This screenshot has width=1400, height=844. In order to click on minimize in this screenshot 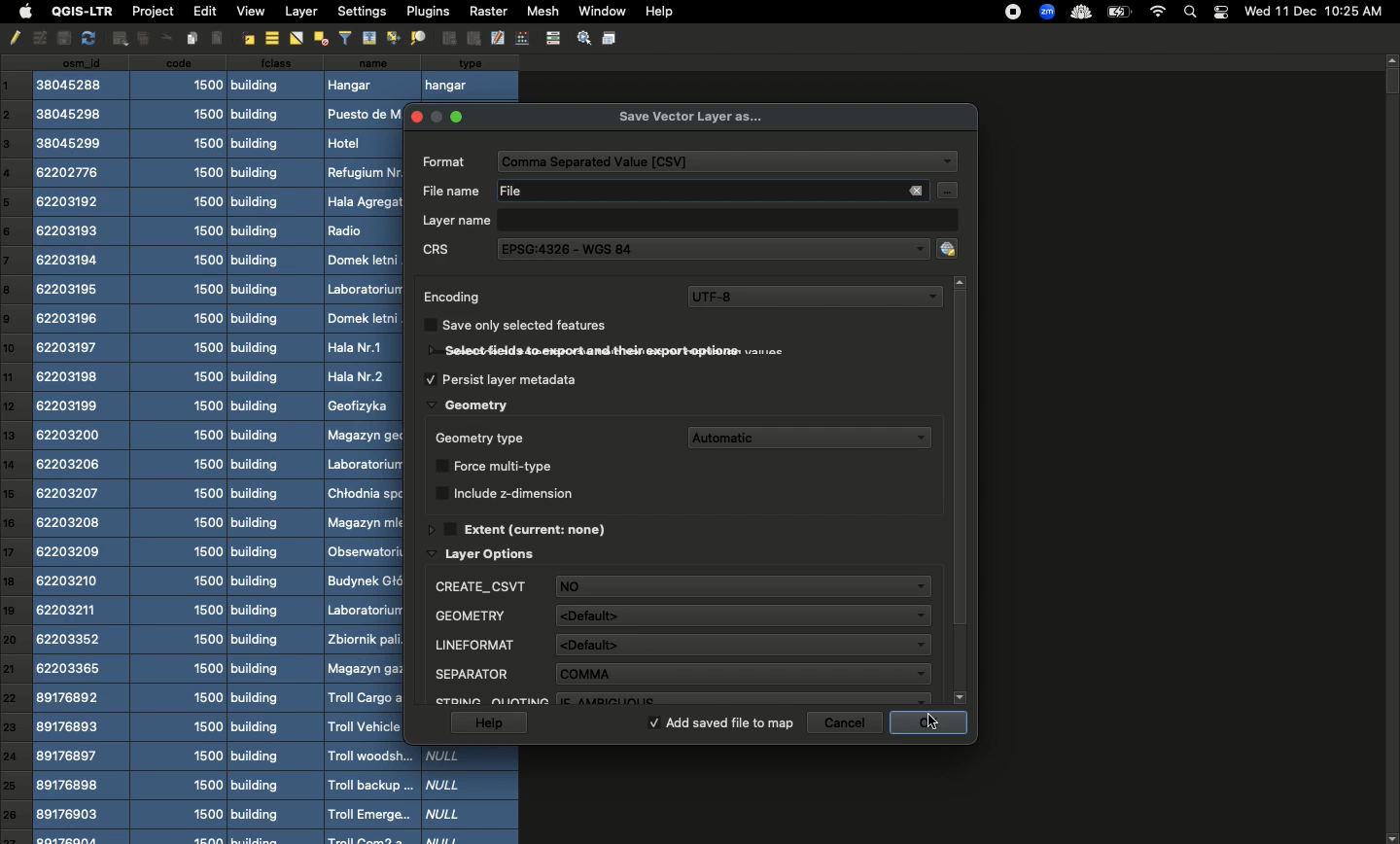, I will do `click(439, 120)`.